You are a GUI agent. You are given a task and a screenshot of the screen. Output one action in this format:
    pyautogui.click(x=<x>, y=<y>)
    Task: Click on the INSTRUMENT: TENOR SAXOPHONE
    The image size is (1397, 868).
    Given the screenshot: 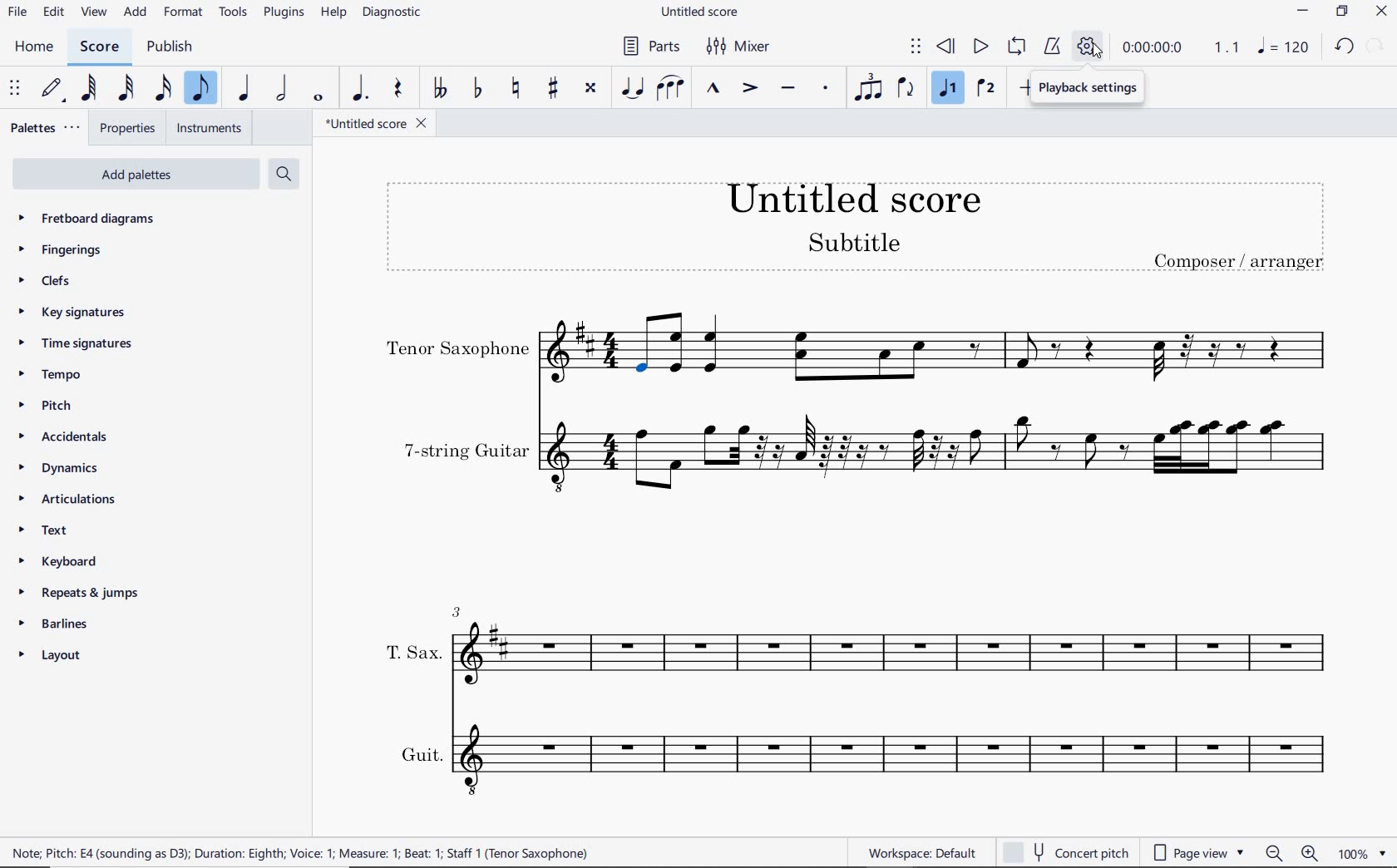 What is the action you would take?
    pyautogui.click(x=646, y=330)
    